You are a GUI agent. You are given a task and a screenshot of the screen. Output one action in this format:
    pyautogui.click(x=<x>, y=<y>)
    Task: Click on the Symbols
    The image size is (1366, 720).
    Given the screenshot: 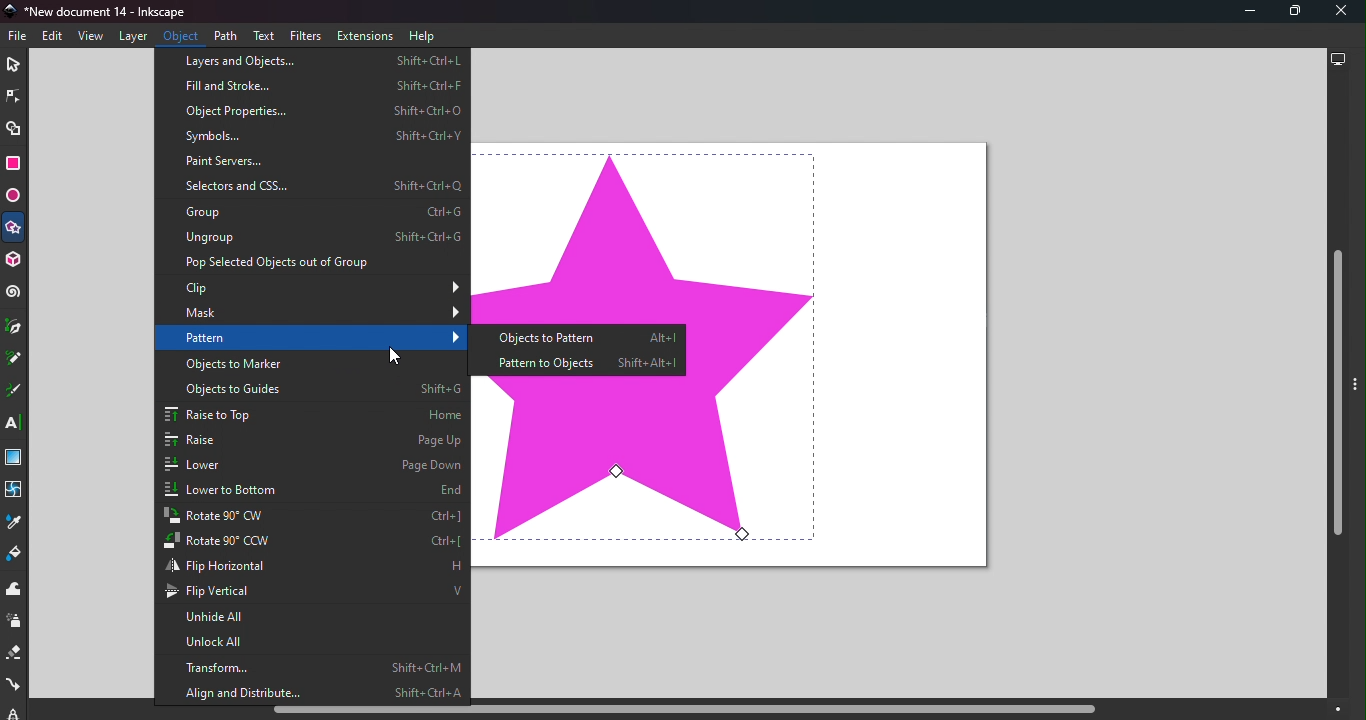 What is the action you would take?
    pyautogui.click(x=319, y=135)
    